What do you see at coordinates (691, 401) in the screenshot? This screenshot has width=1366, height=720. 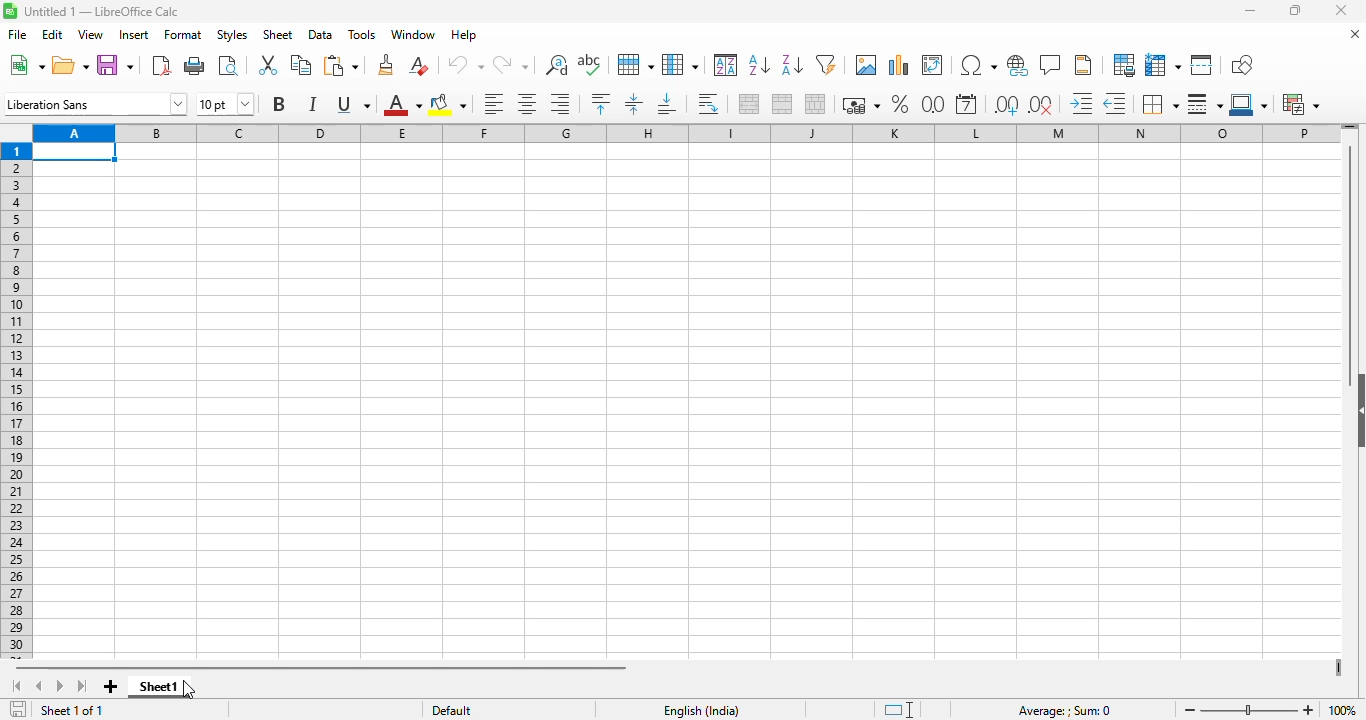 I see `gridlines` at bounding box center [691, 401].